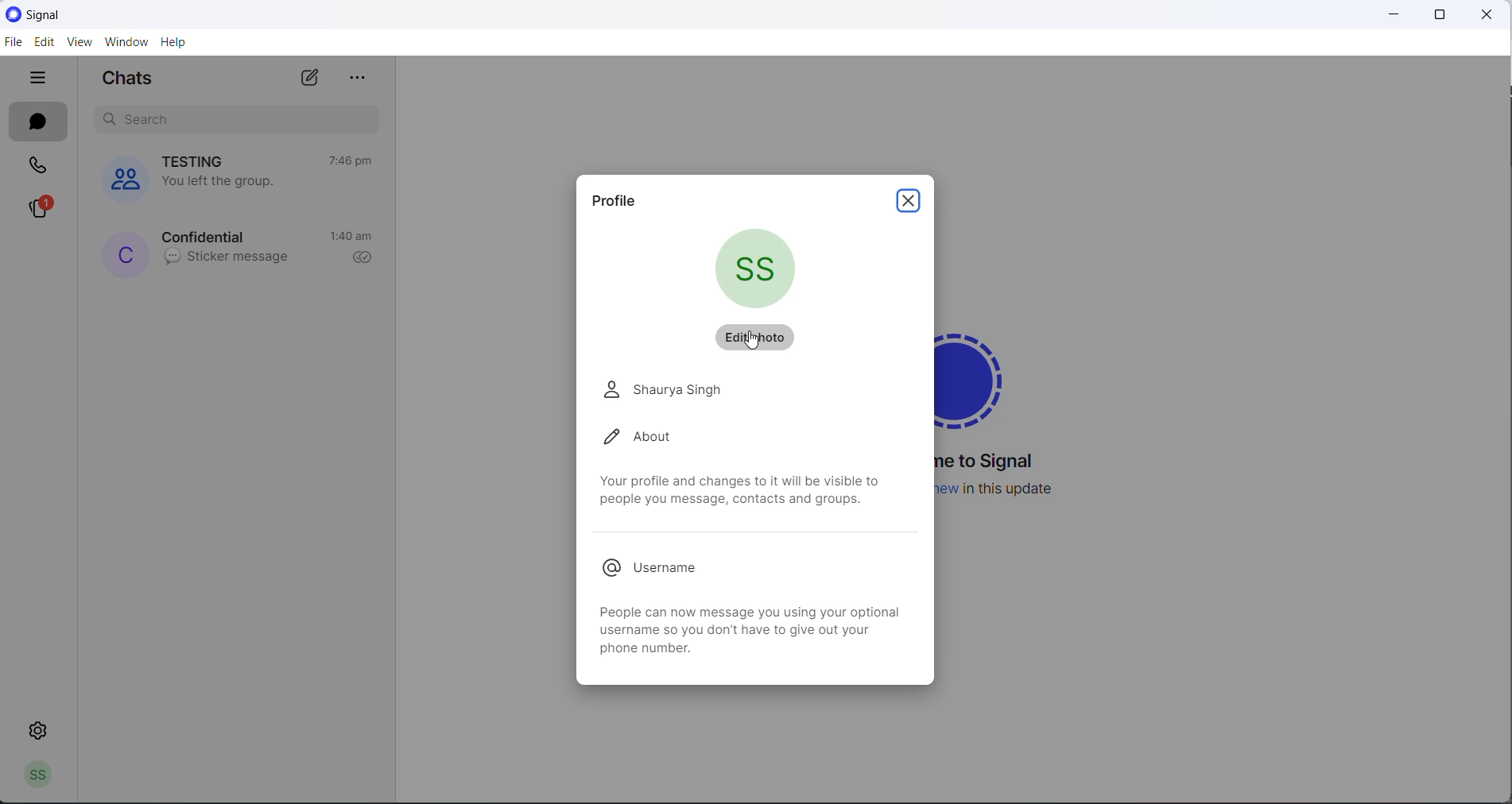 This screenshot has height=804, width=1512. What do you see at coordinates (122, 253) in the screenshot?
I see `profile picture` at bounding box center [122, 253].